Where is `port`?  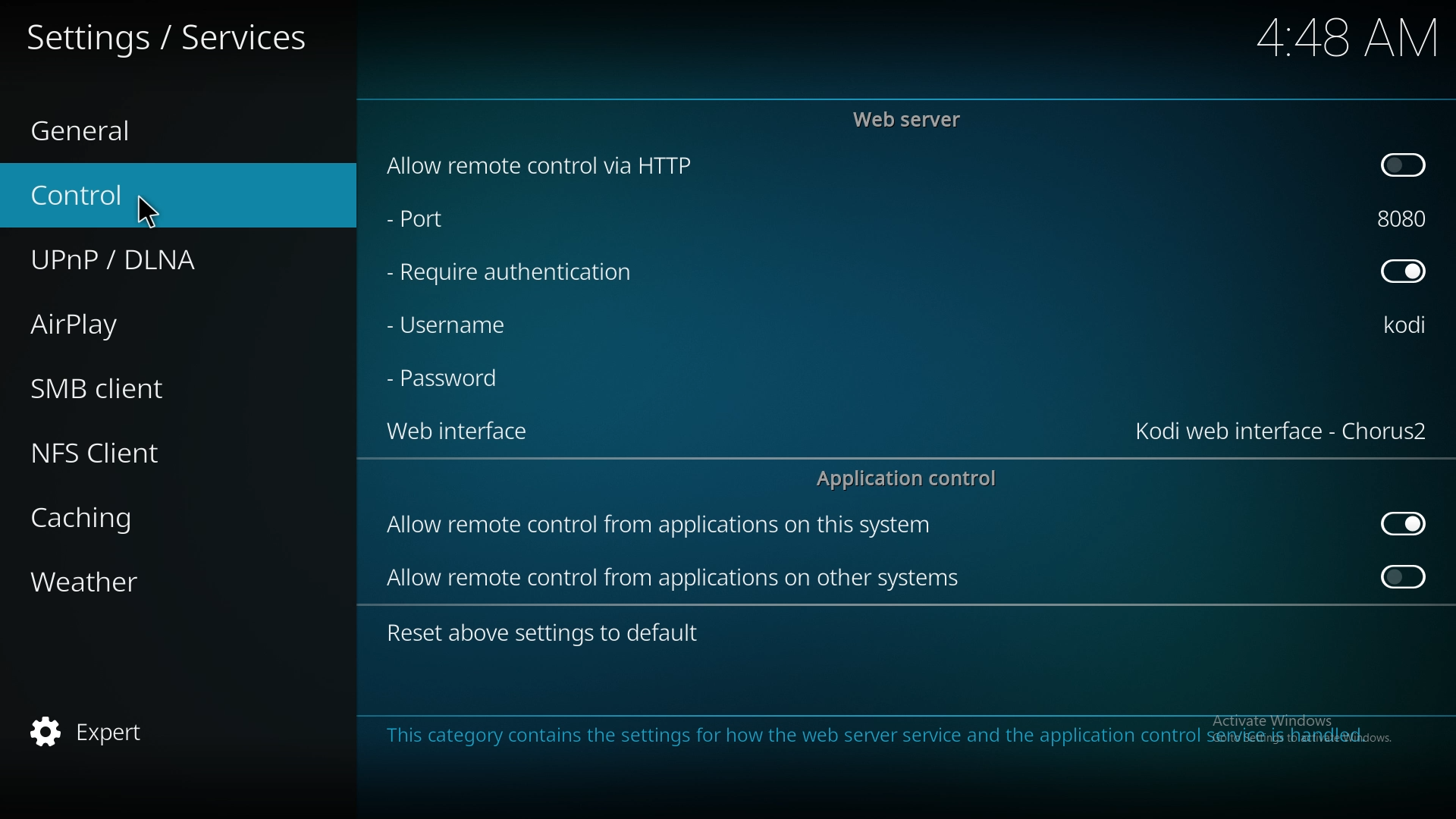
port is located at coordinates (1409, 218).